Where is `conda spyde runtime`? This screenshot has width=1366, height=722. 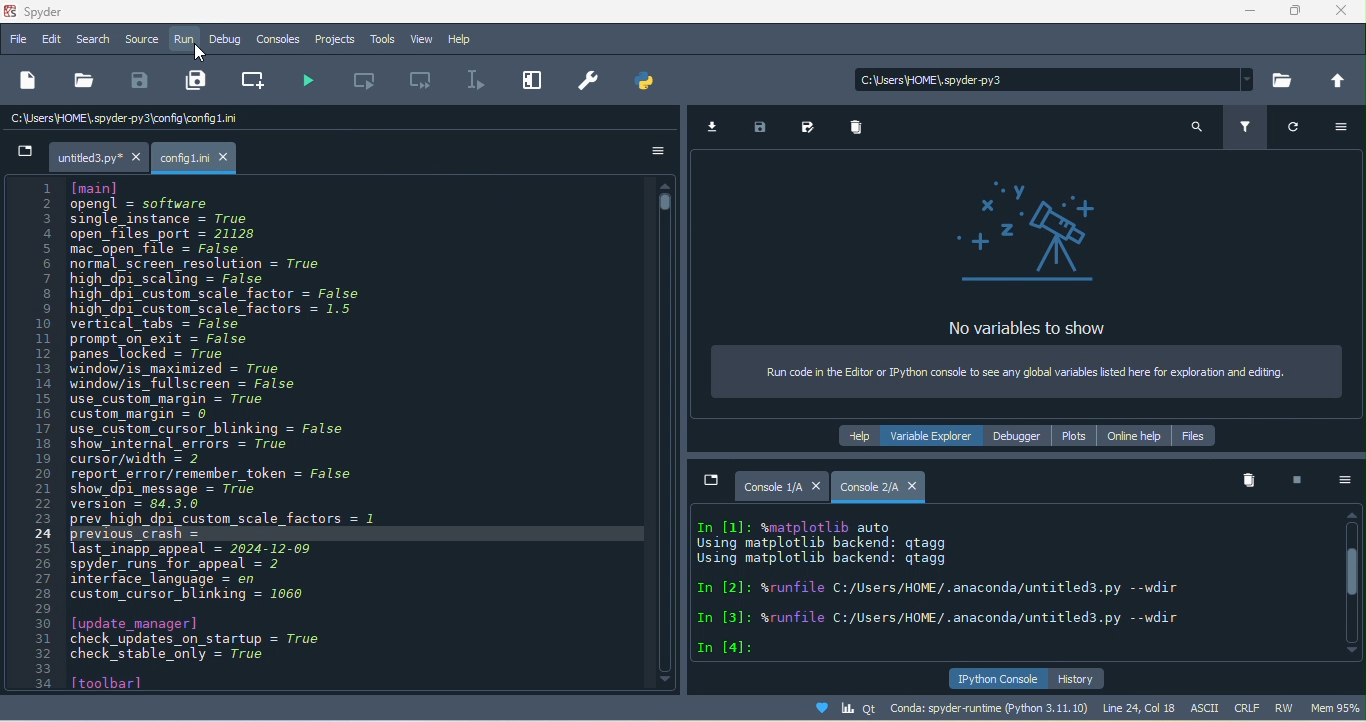 conda spyde runtime is located at coordinates (943, 710).